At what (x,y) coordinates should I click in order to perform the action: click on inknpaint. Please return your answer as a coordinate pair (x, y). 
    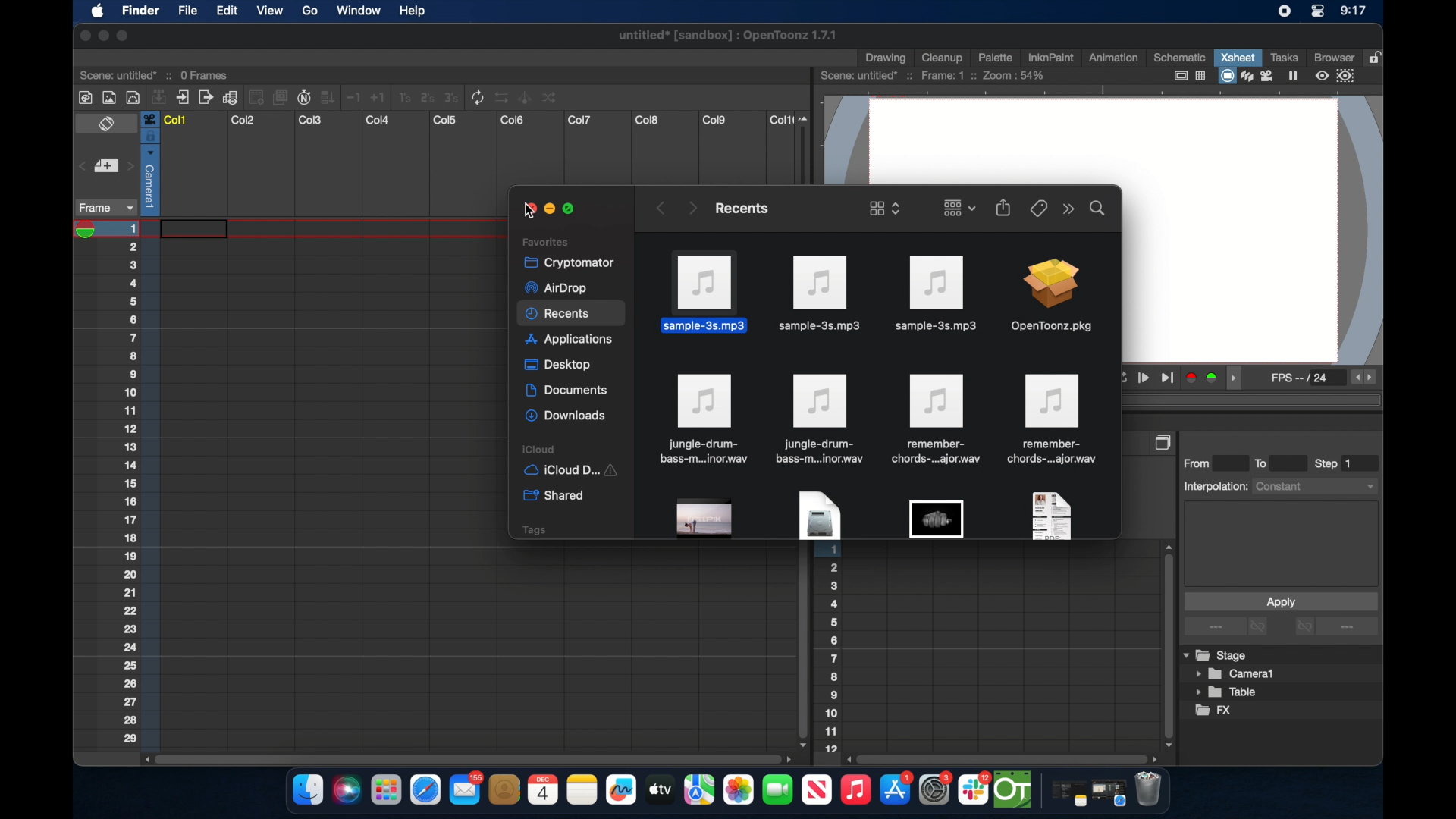
    Looking at the image, I should click on (1050, 57).